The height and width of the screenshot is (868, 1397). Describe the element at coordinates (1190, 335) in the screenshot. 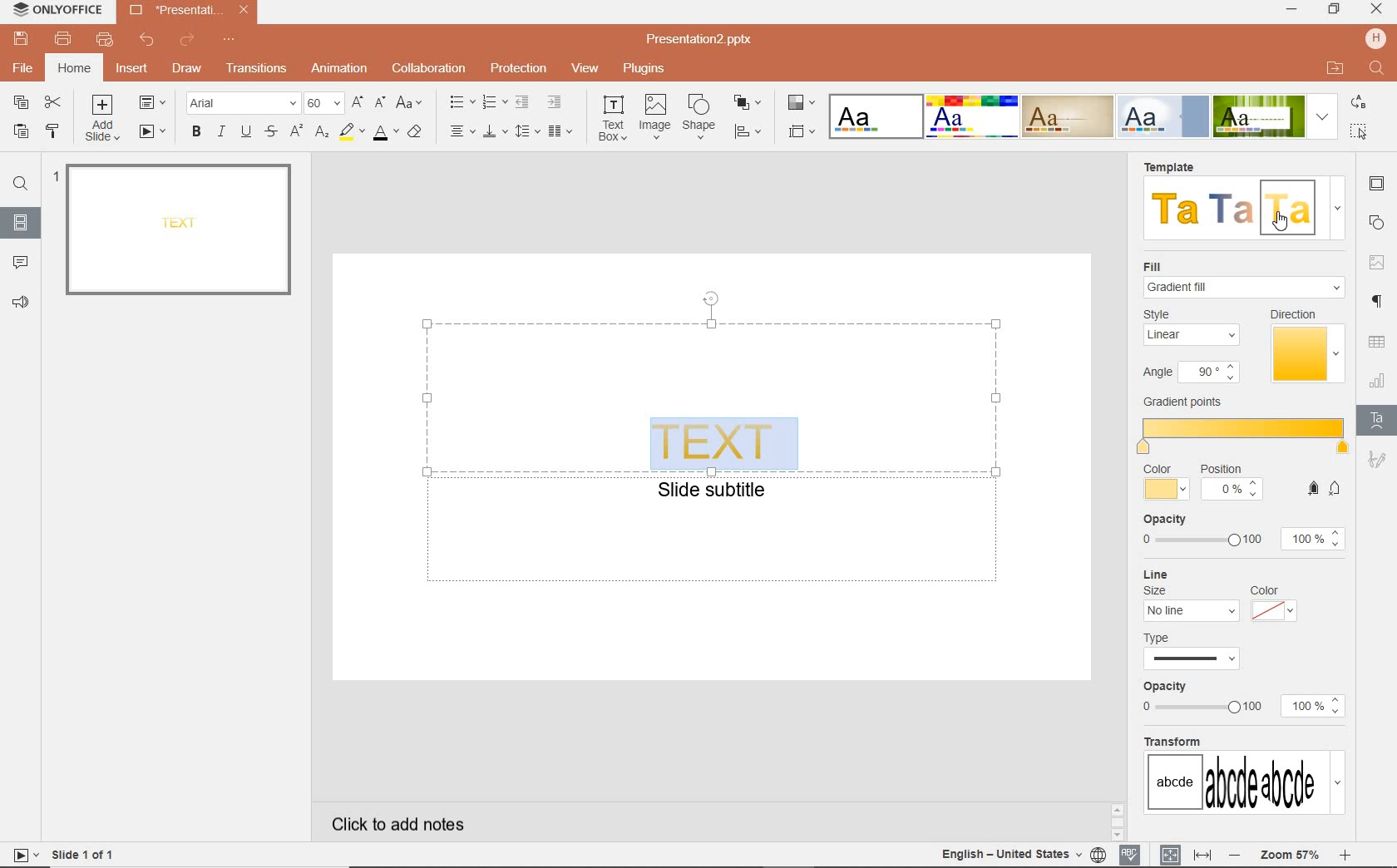

I see `linear` at that location.